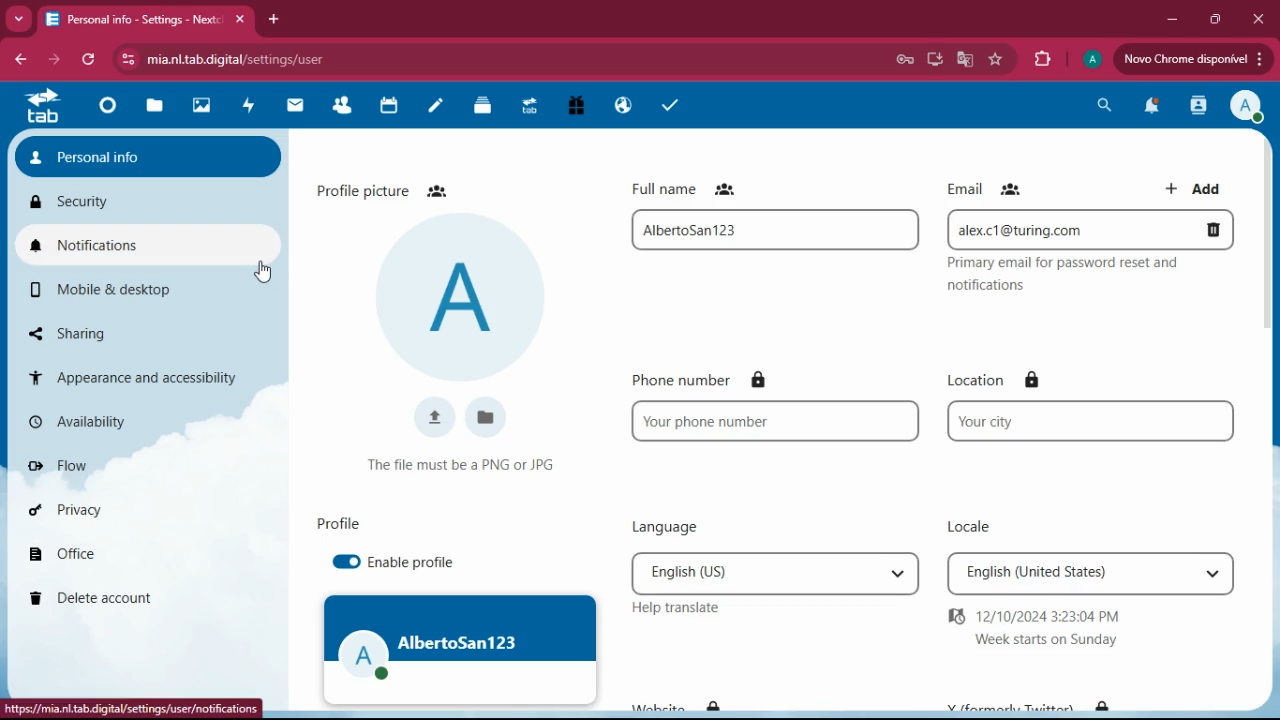  Describe the element at coordinates (1088, 422) in the screenshot. I see `location` at that location.